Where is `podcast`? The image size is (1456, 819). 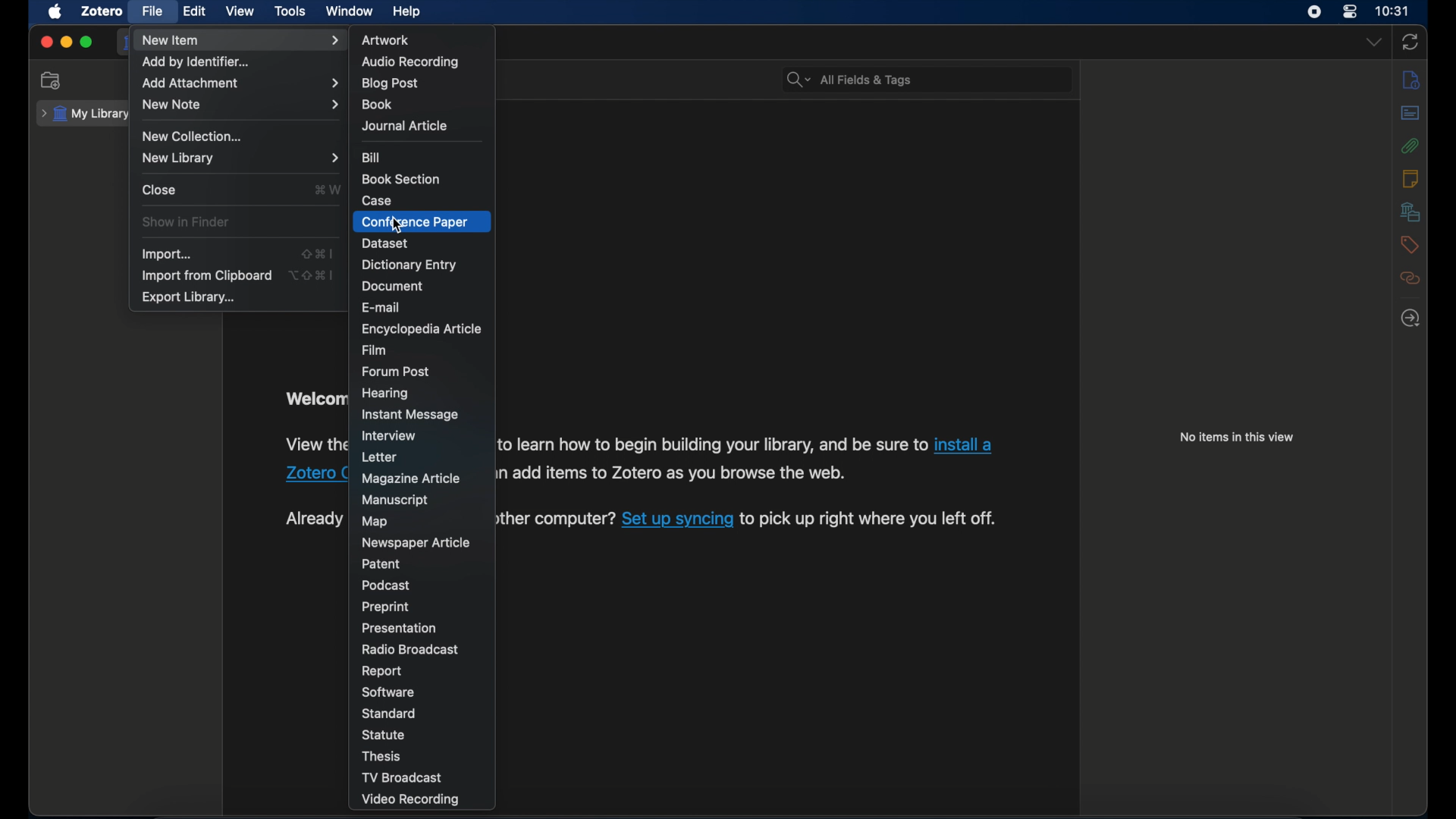 podcast is located at coordinates (384, 585).